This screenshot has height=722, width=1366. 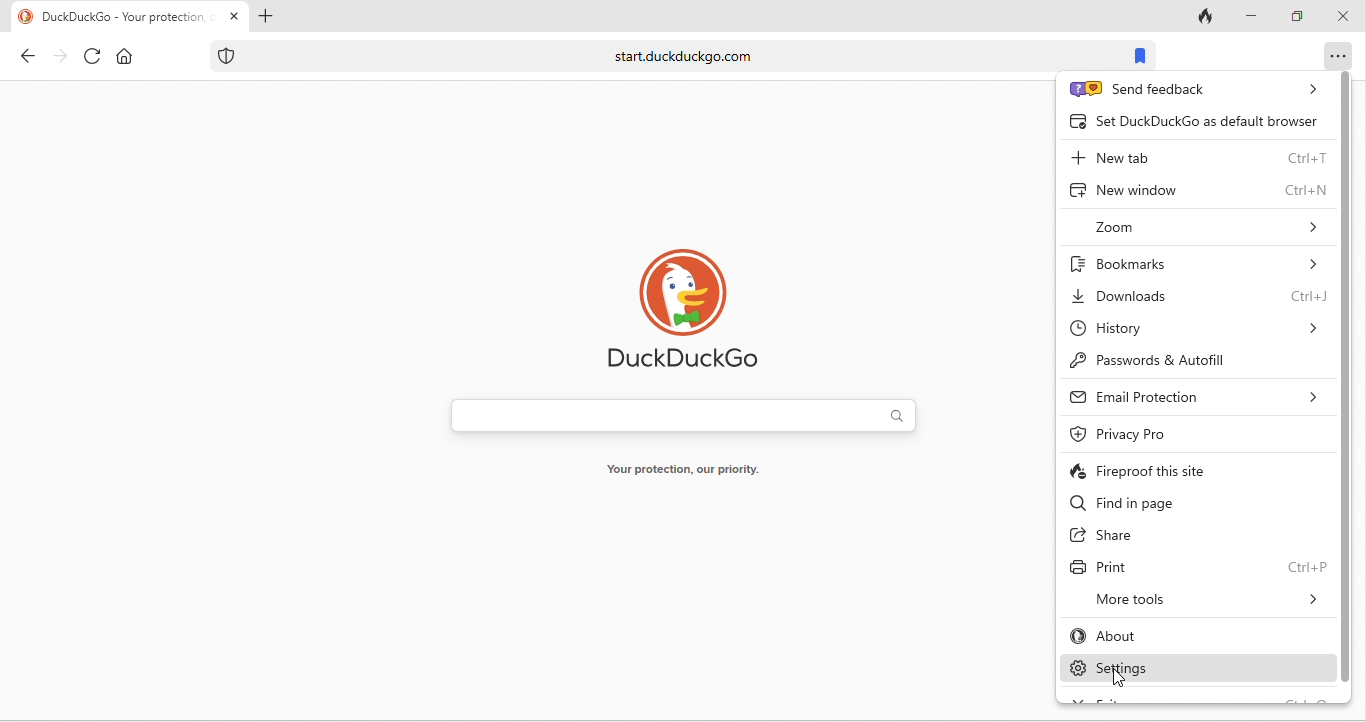 I want to click on duck duck go logo, so click(x=692, y=310).